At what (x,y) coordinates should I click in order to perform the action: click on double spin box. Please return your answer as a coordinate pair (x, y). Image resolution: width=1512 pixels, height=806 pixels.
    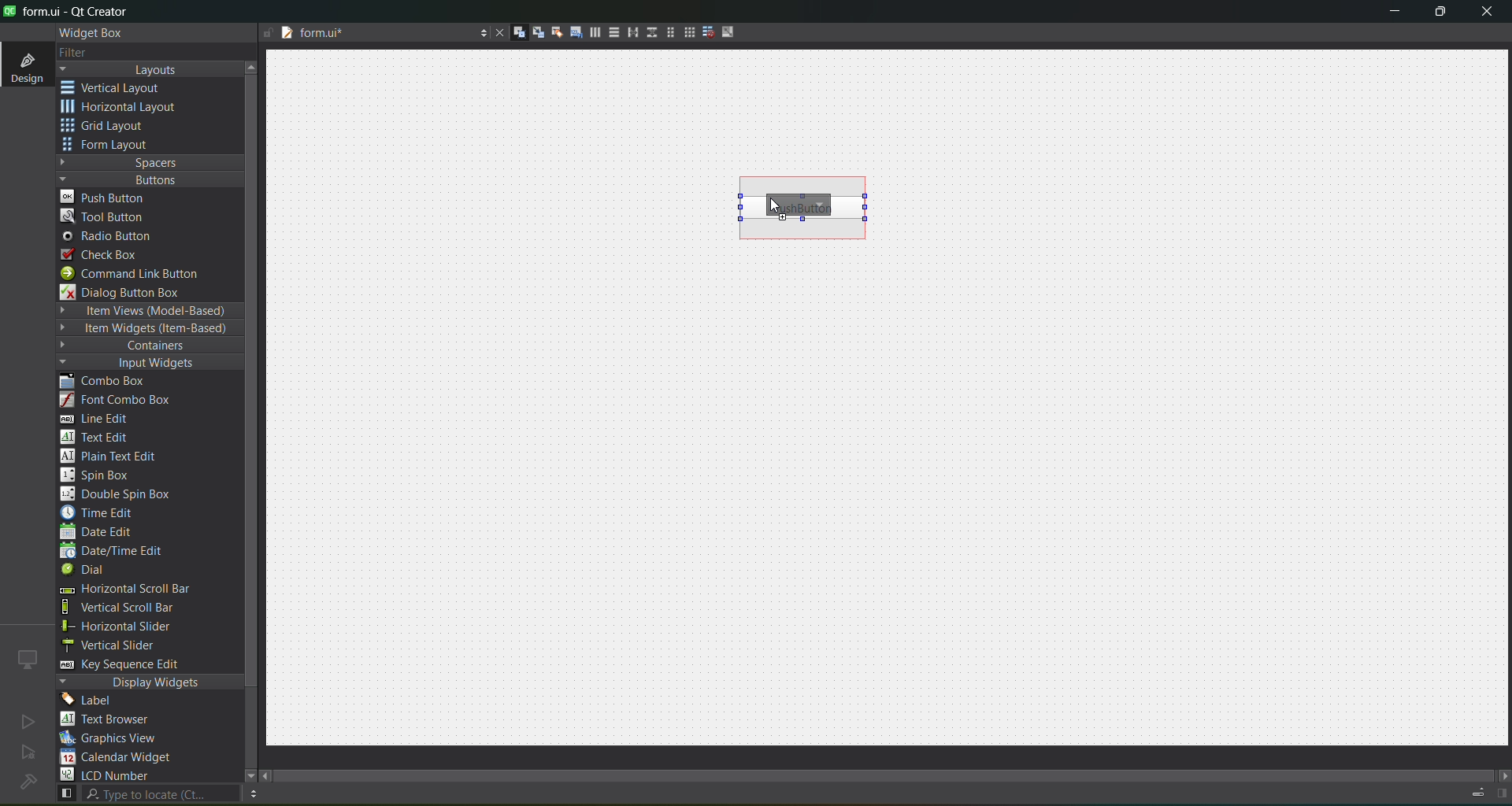
    Looking at the image, I should click on (127, 494).